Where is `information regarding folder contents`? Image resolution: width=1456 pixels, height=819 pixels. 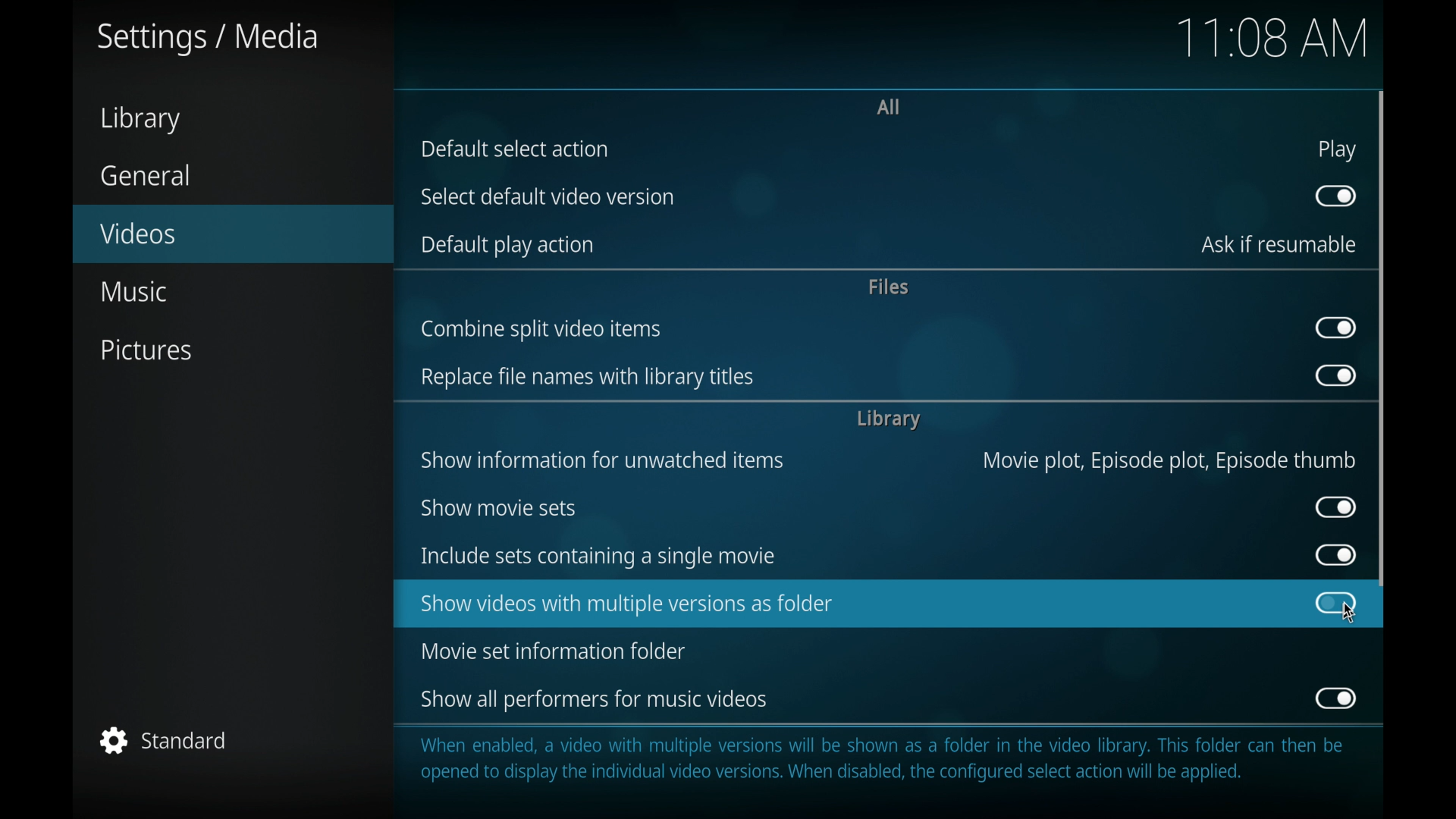 information regarding folder contents is located at coordinates (883, 760).